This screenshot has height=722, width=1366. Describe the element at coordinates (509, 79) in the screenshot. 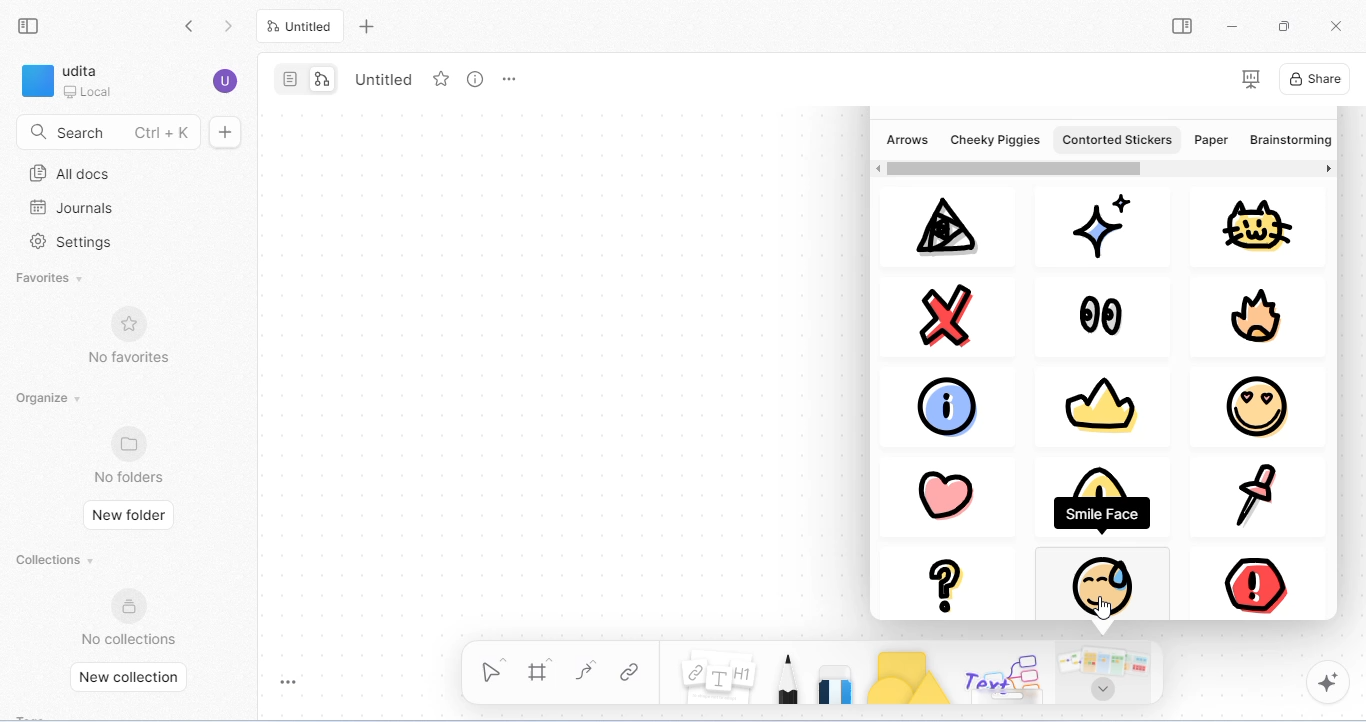

I see `rename and more` at that location.